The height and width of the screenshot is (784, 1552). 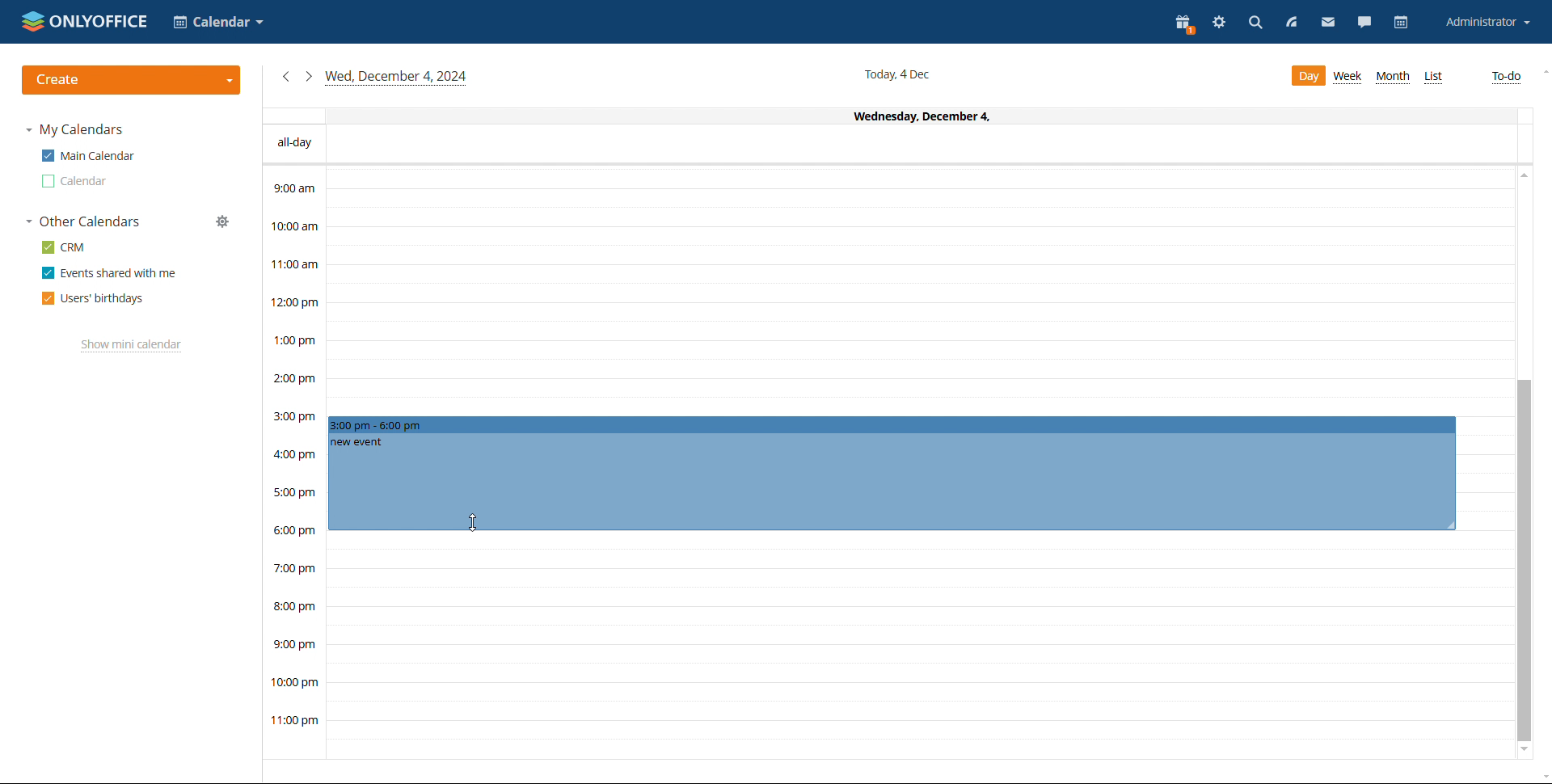 What do you see at coordinates (900, 74) in the screenshot?
I see `current date` at bounding box center [900, 74].